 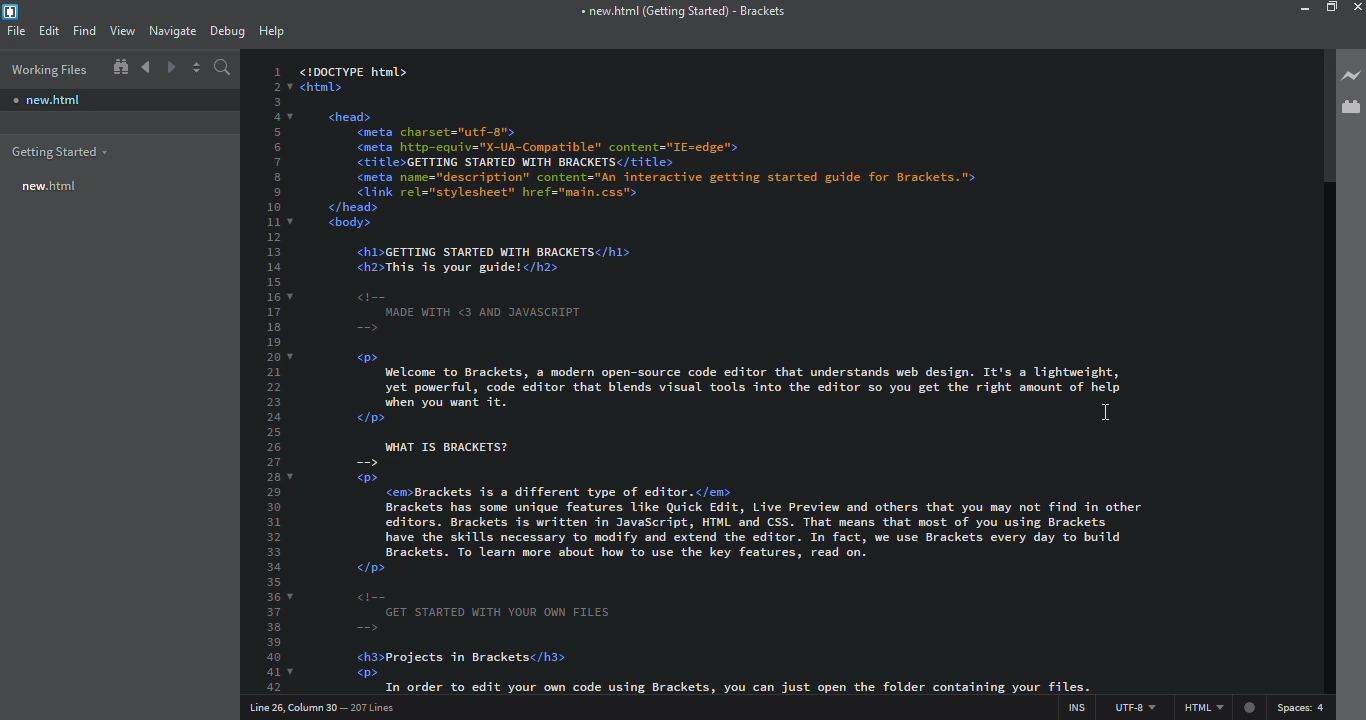 I want to click on working files, so click(x=48, y=69).